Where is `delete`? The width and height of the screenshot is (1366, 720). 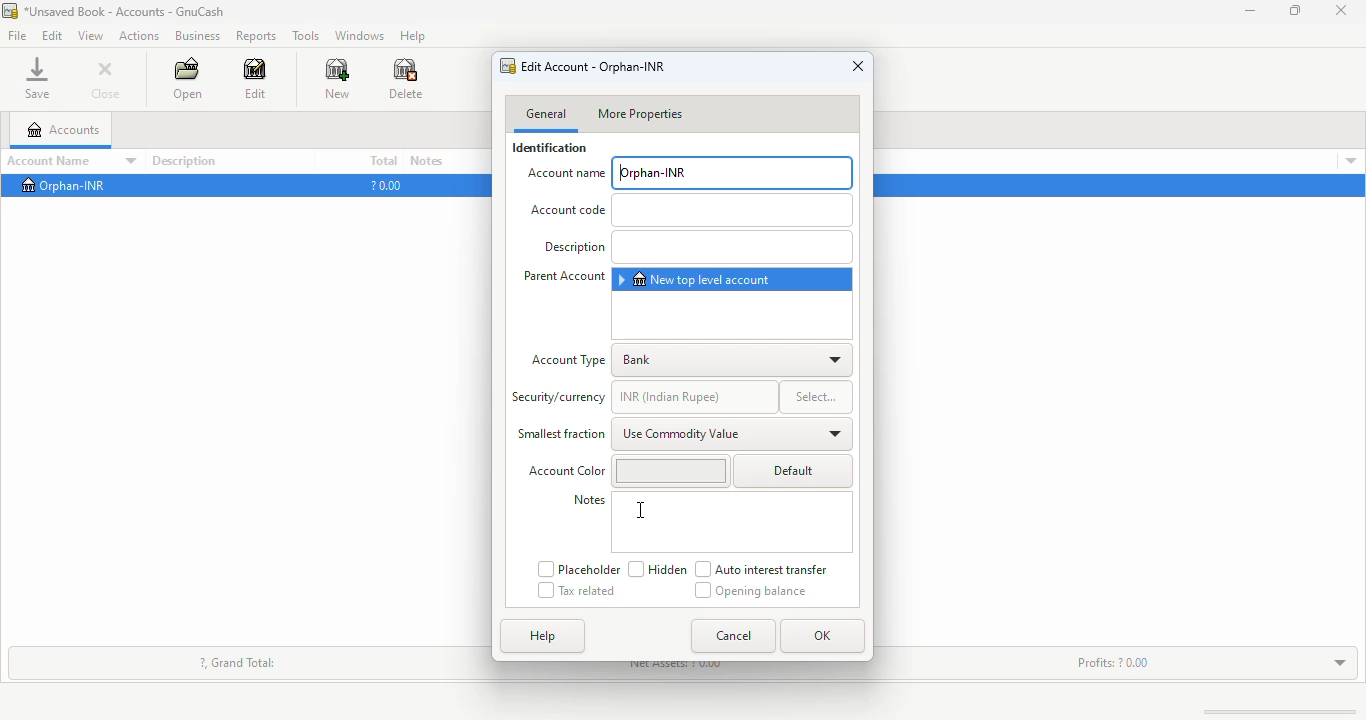 delete is located at coordinates (406, 78).